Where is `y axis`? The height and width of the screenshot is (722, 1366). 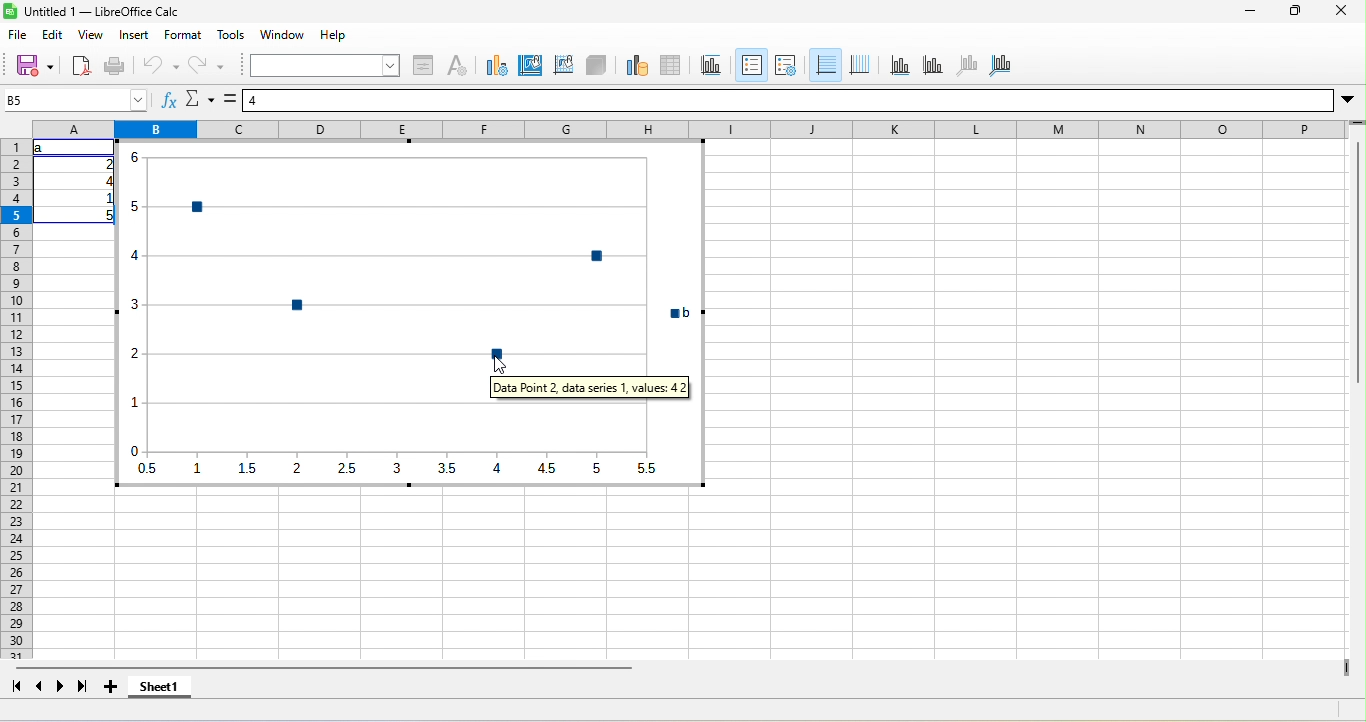 y axis is located at coordinates (934, 67).